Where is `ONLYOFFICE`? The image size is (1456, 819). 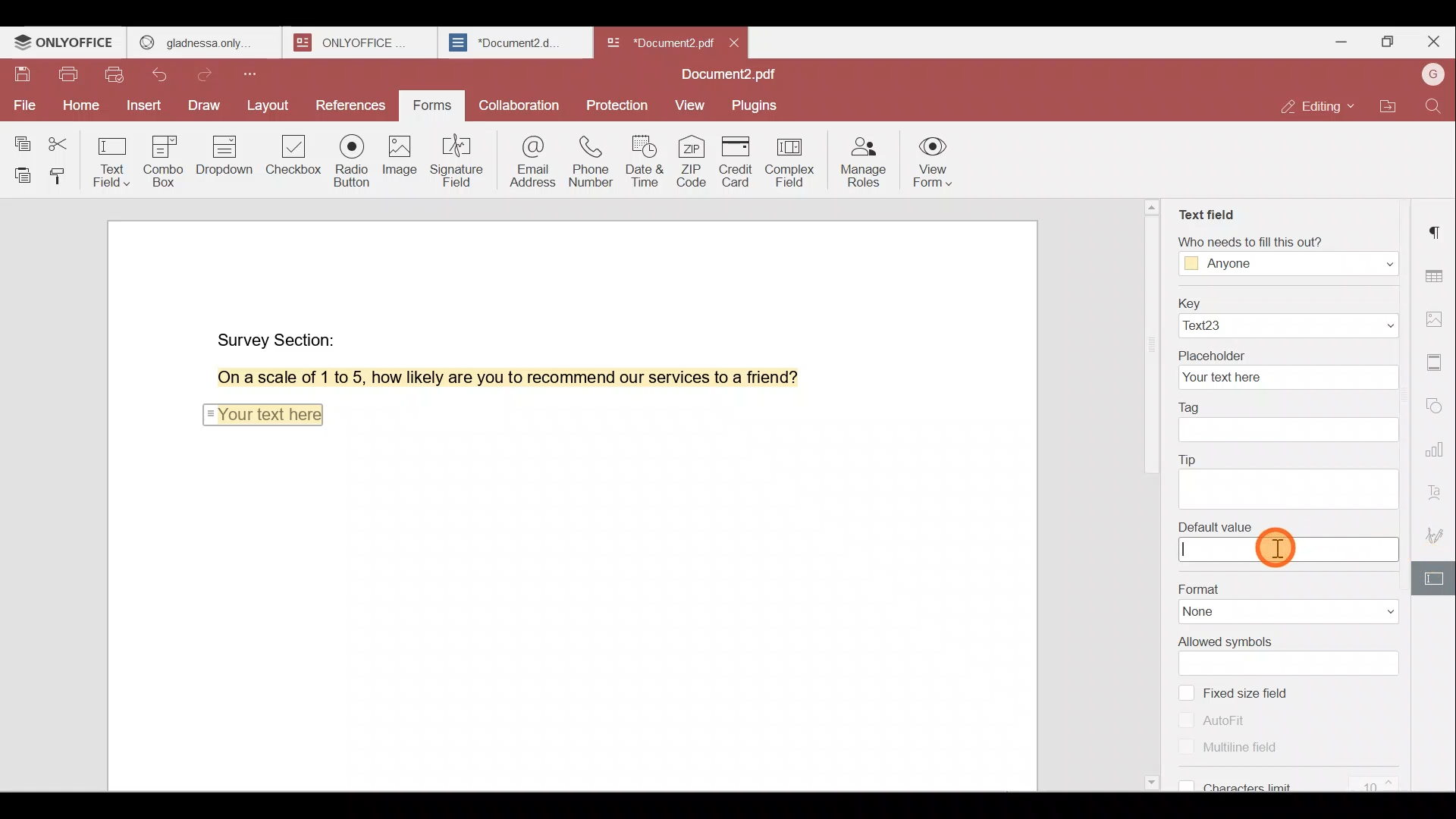
ONLYOFFICE is located at coordinates (362, 42).